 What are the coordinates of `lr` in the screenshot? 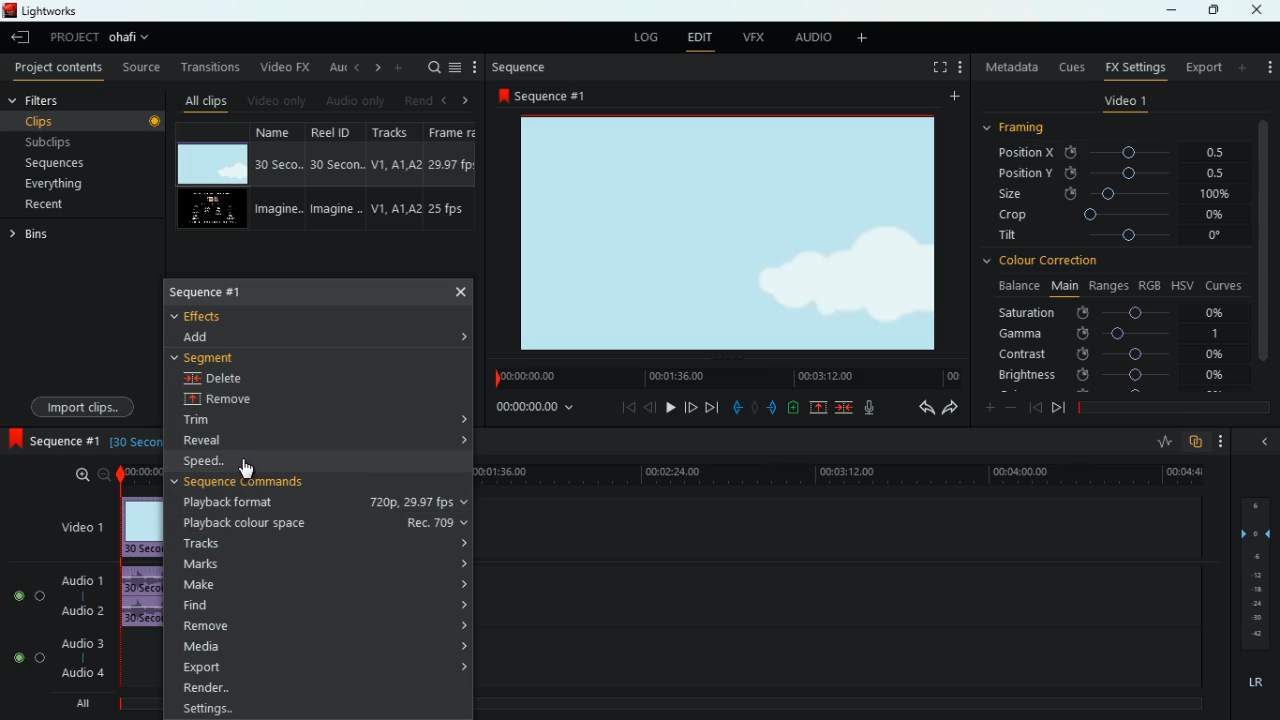 It's located at (1253, 679).